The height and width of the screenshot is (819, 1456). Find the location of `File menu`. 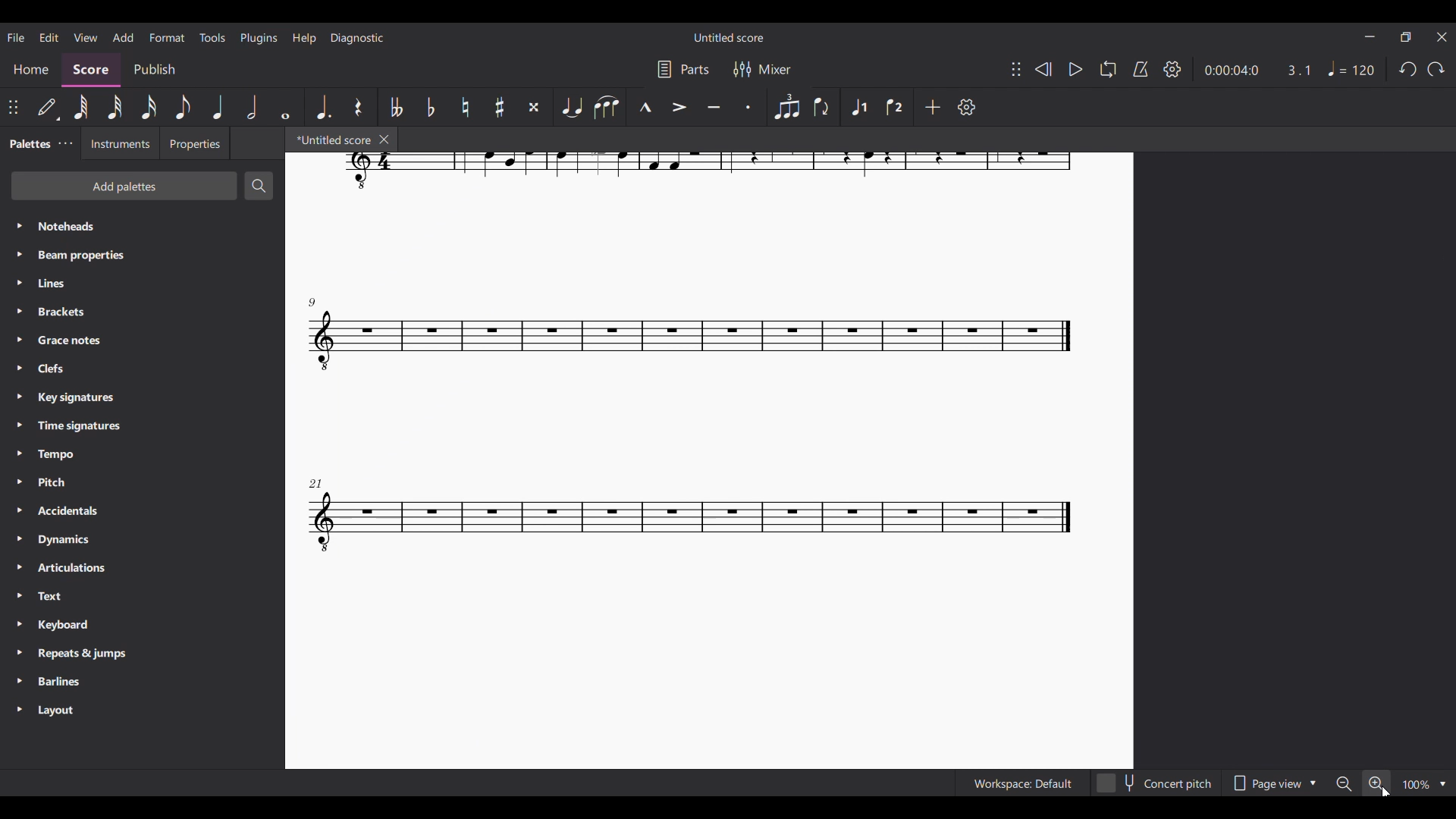

File menu is located at coordinates (16, 38).